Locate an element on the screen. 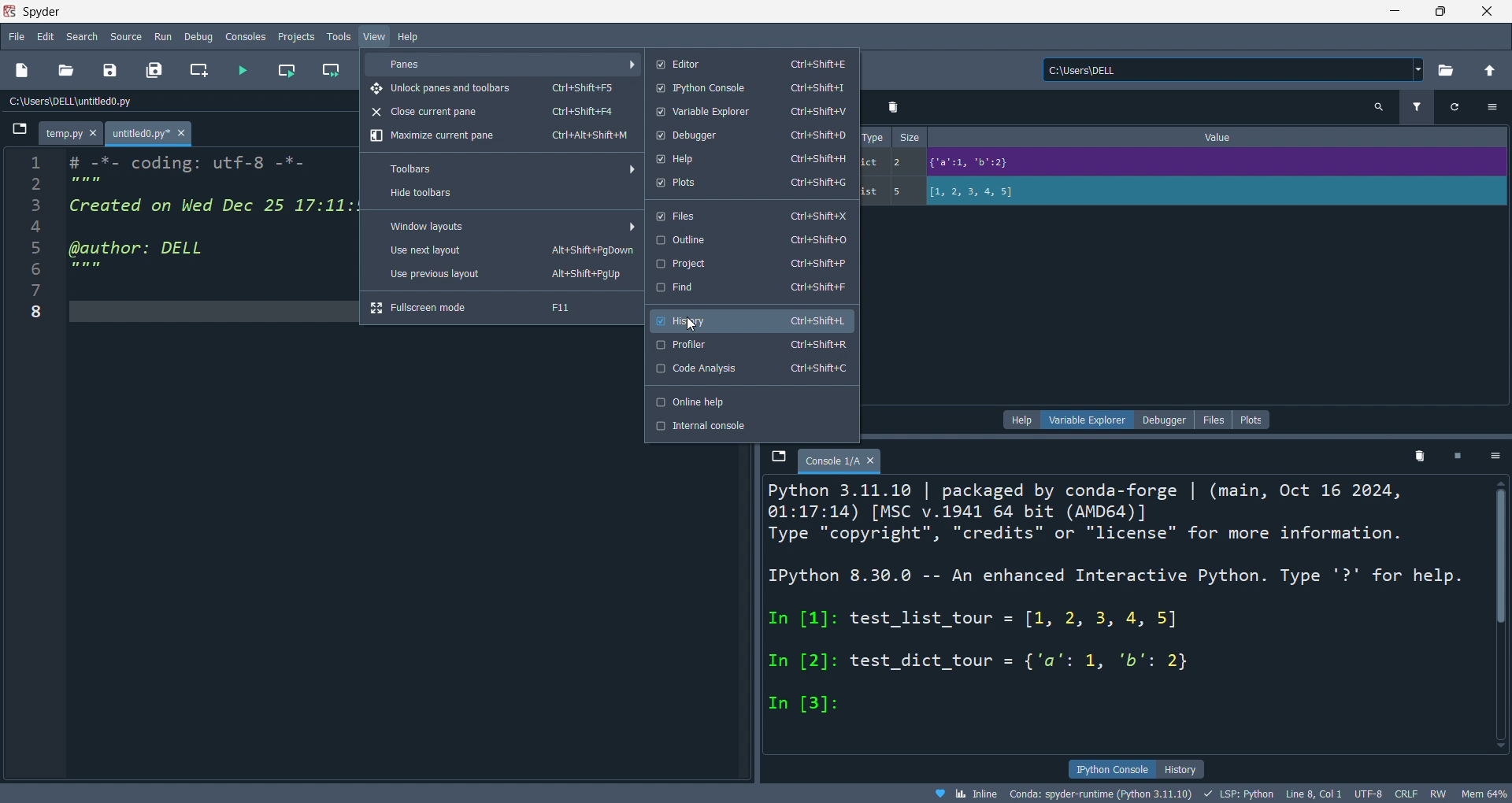  close is located at coordinates (1488, 11).